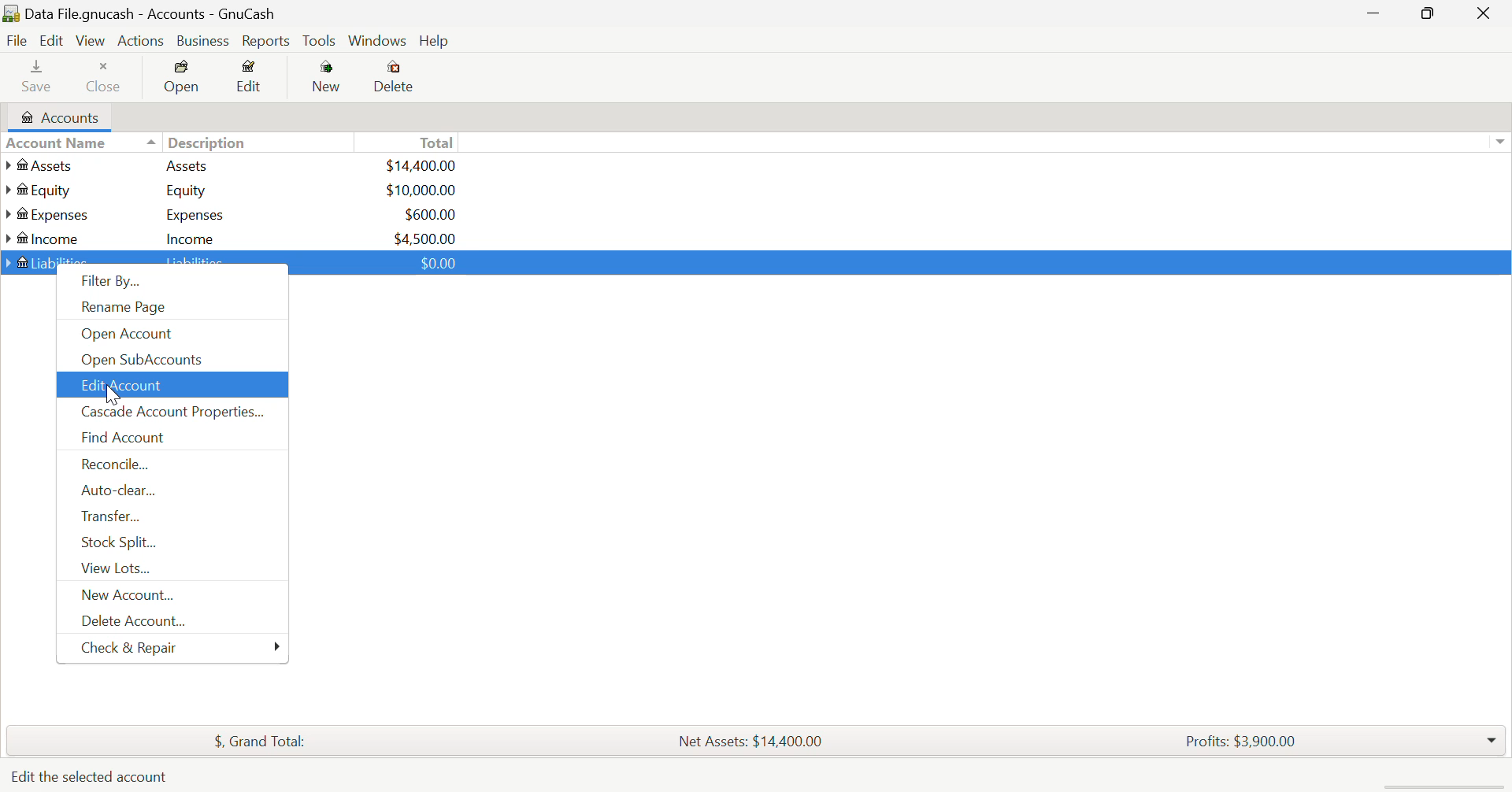  What do you see at coordinates (170, 546) in the screenshot?
I see `Stock Split` at bounding box center [170, 546].